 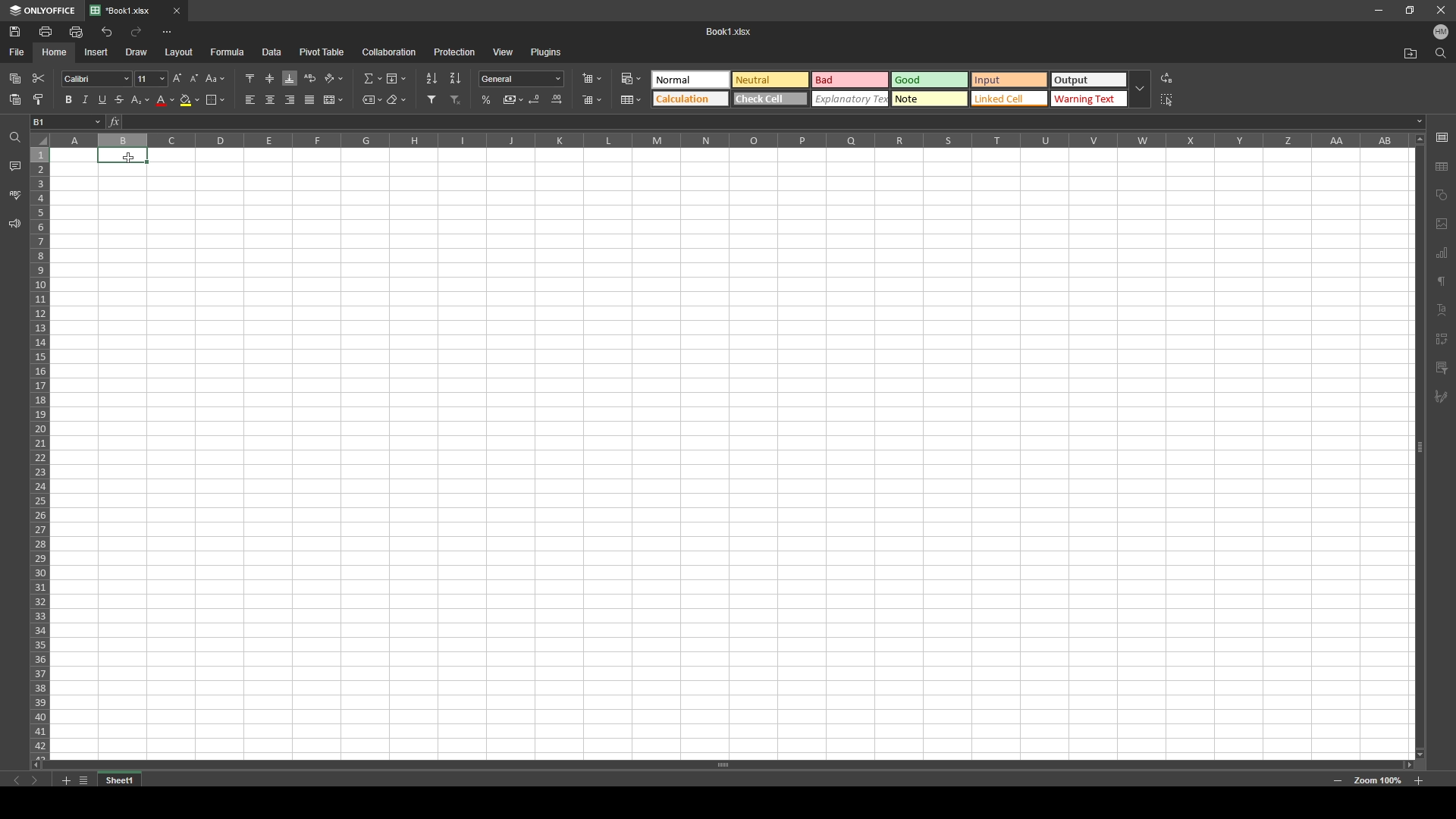 I want to click on home, so click(x=56, y=52).